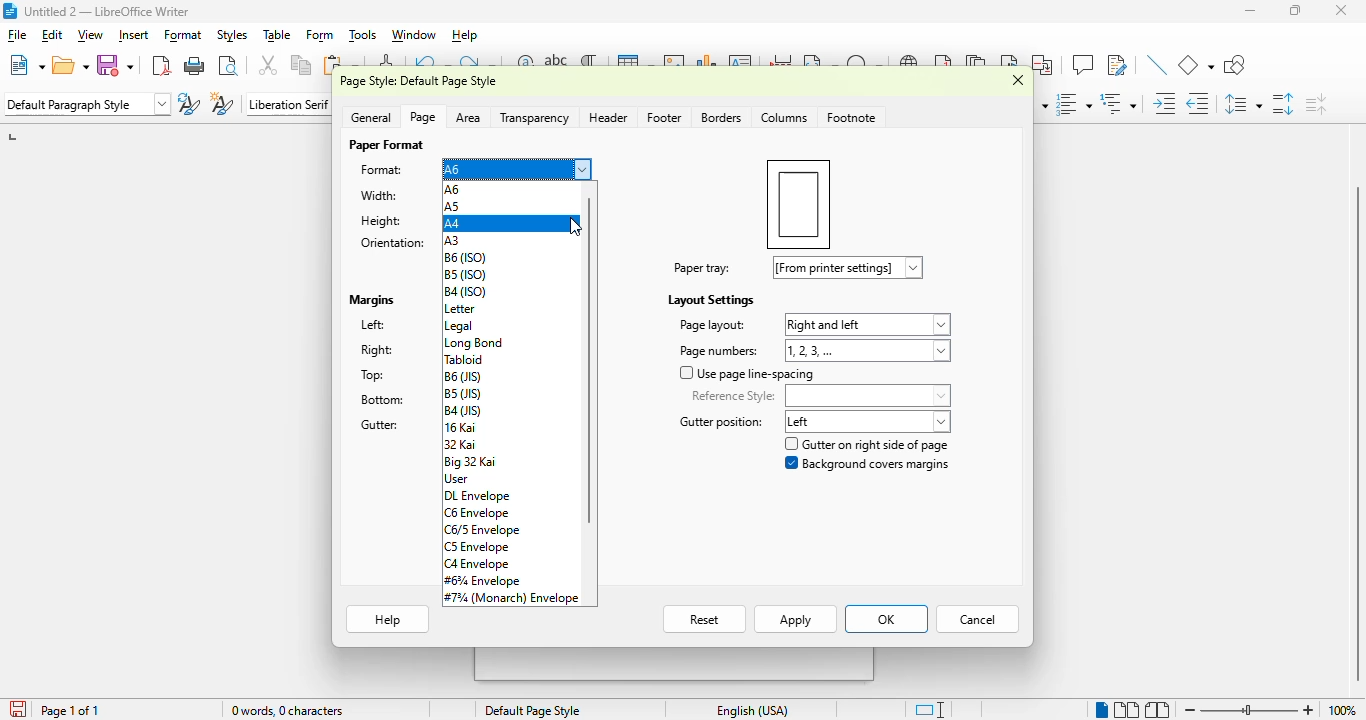  I want to click on format: A6, so click(472, 170).